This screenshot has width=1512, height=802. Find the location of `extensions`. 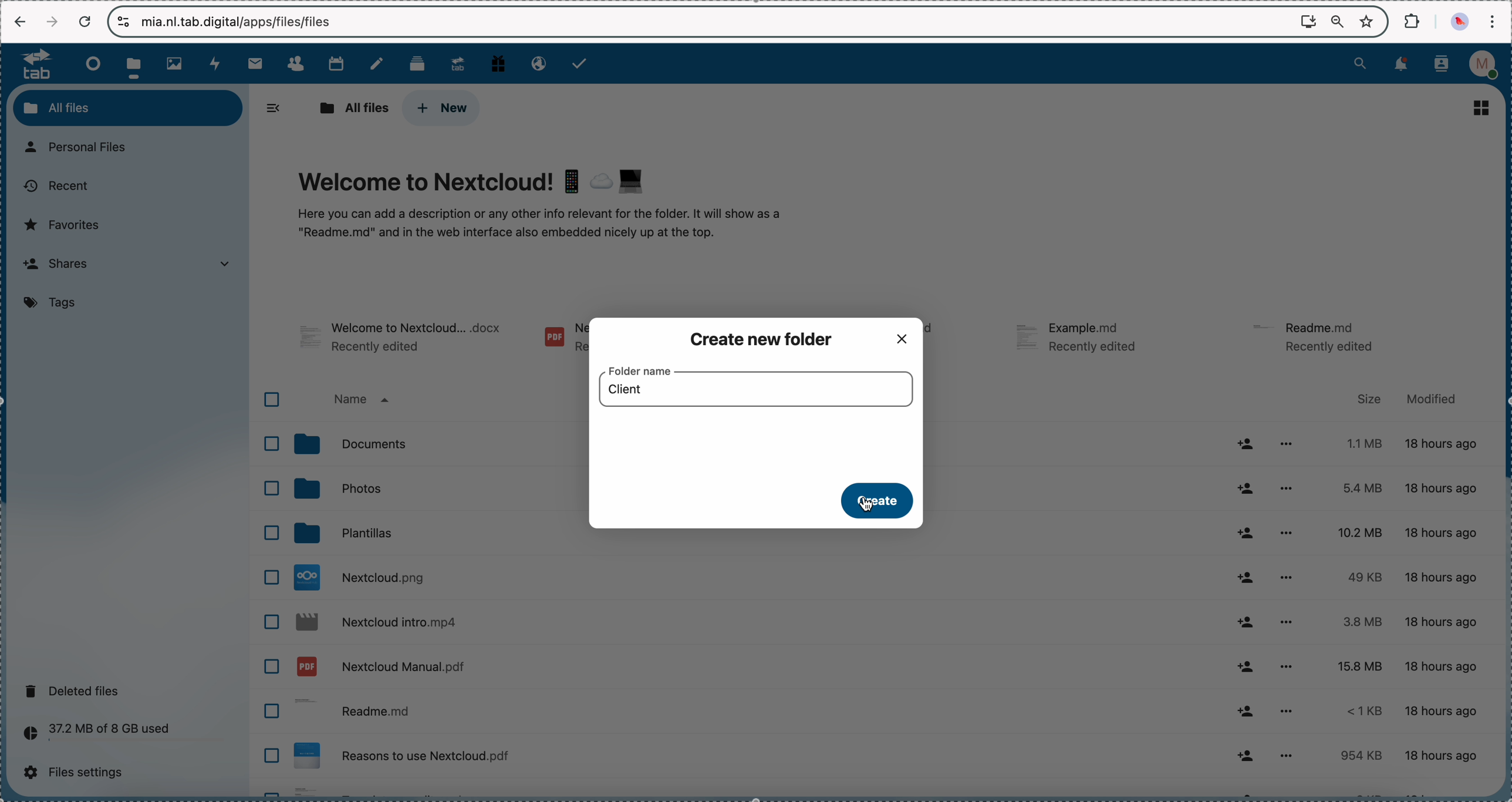

extensions is located at coordinates (1413, 20).